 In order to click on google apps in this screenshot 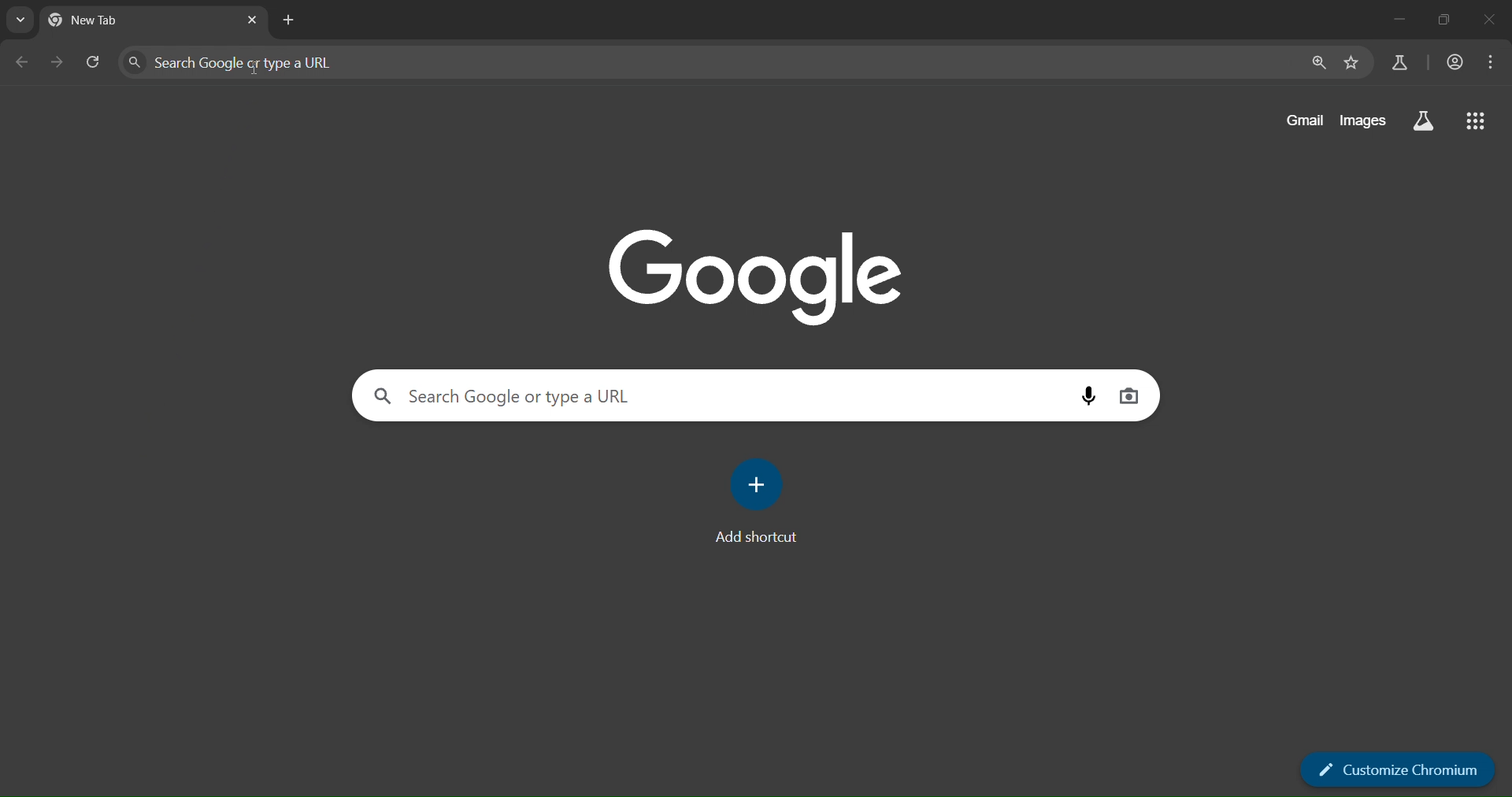, I will do `click(1476, 120)`.